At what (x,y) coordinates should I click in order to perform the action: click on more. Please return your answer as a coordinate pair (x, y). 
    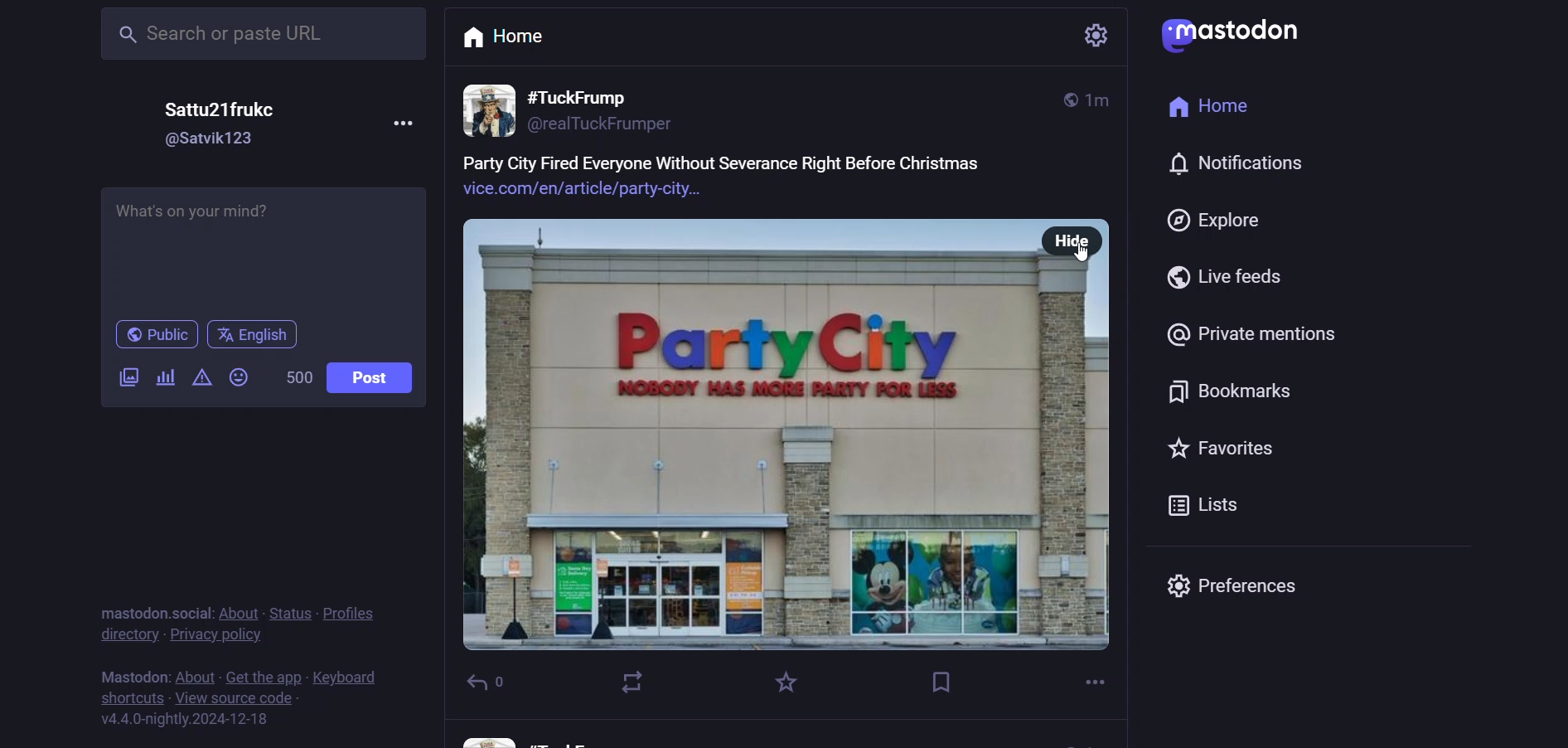
    Looking at the image, I should click on (1097, 682).